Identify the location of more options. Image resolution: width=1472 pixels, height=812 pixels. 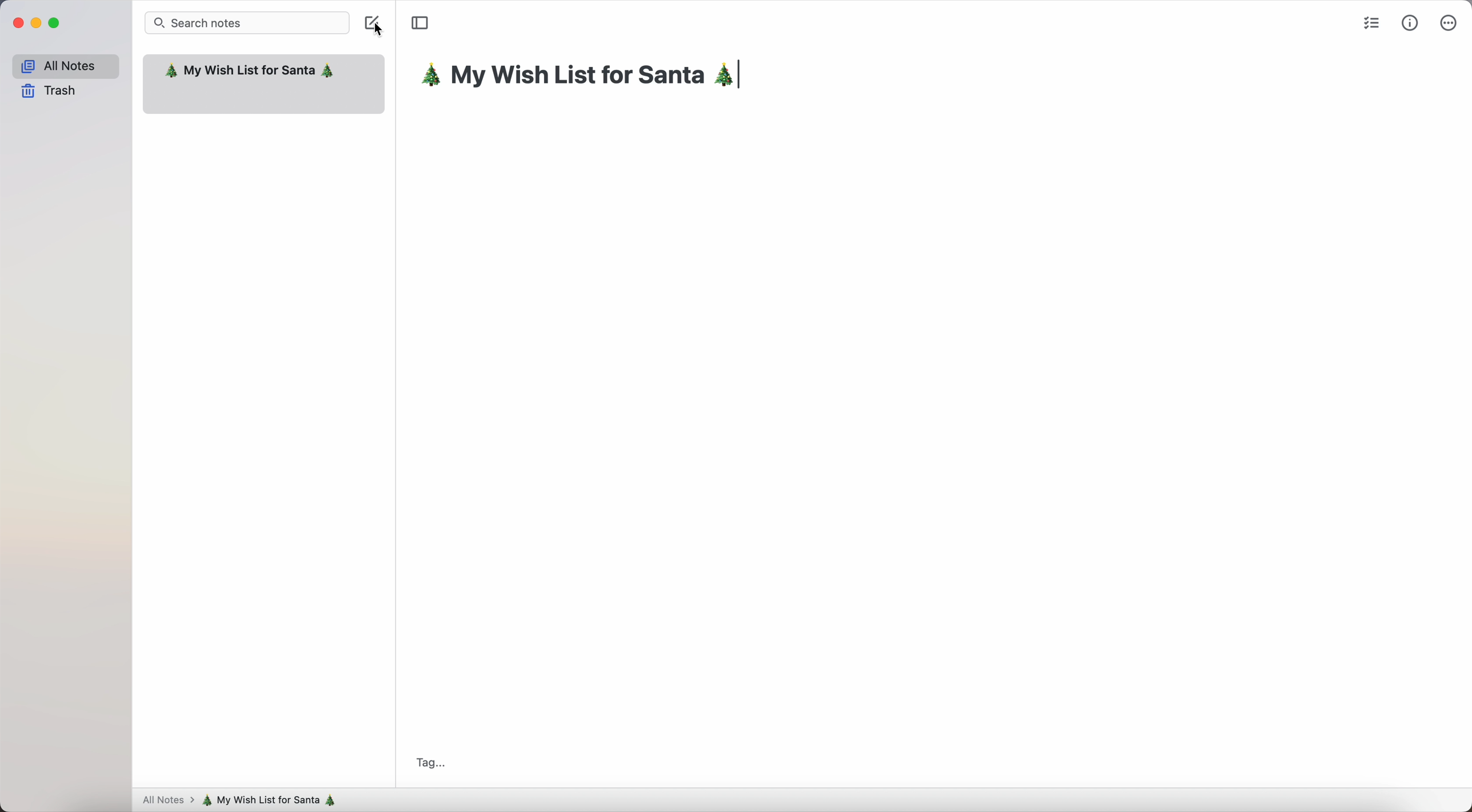
(1448, 22).